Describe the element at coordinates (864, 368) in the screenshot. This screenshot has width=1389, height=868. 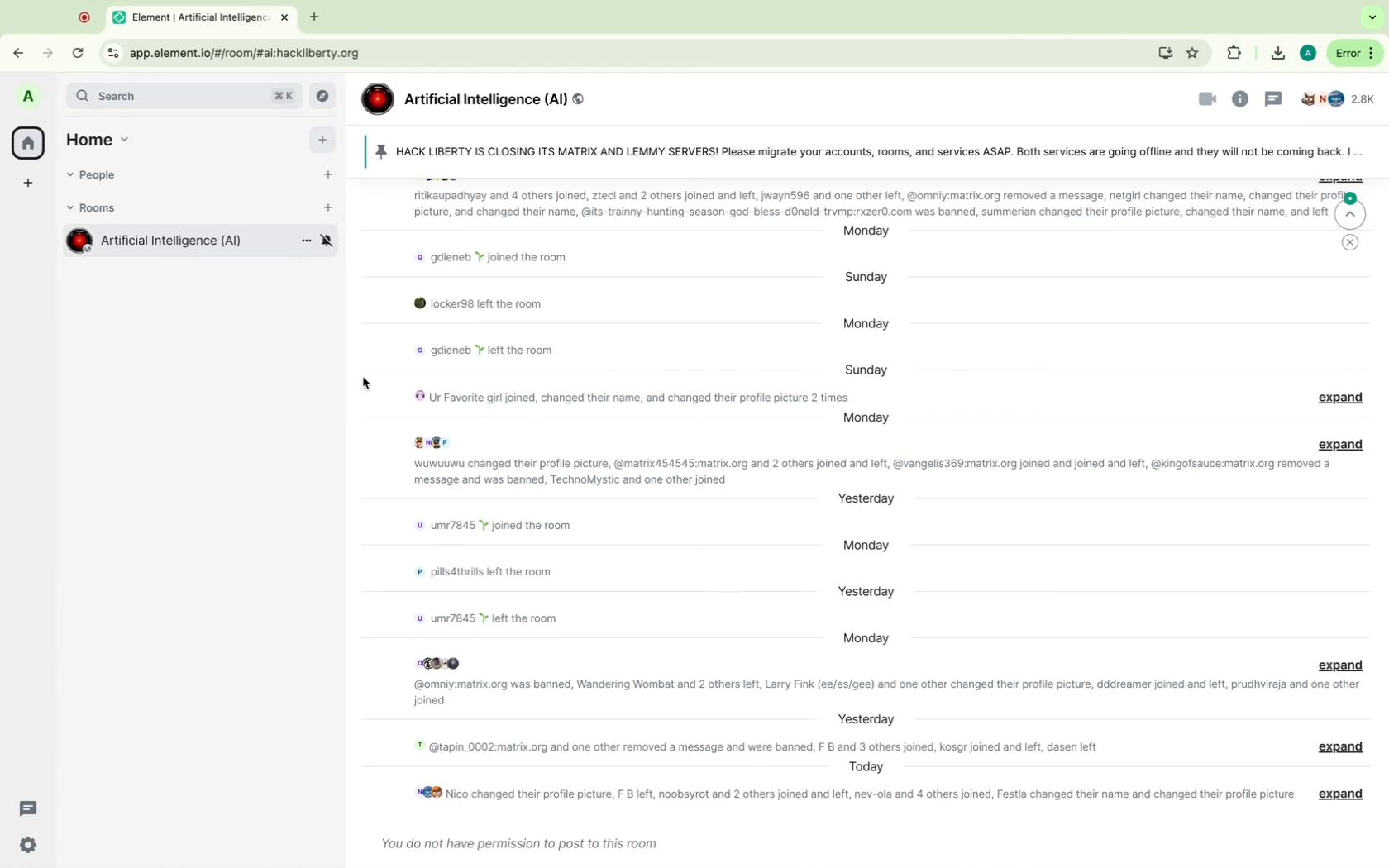
I see `day` at that location.